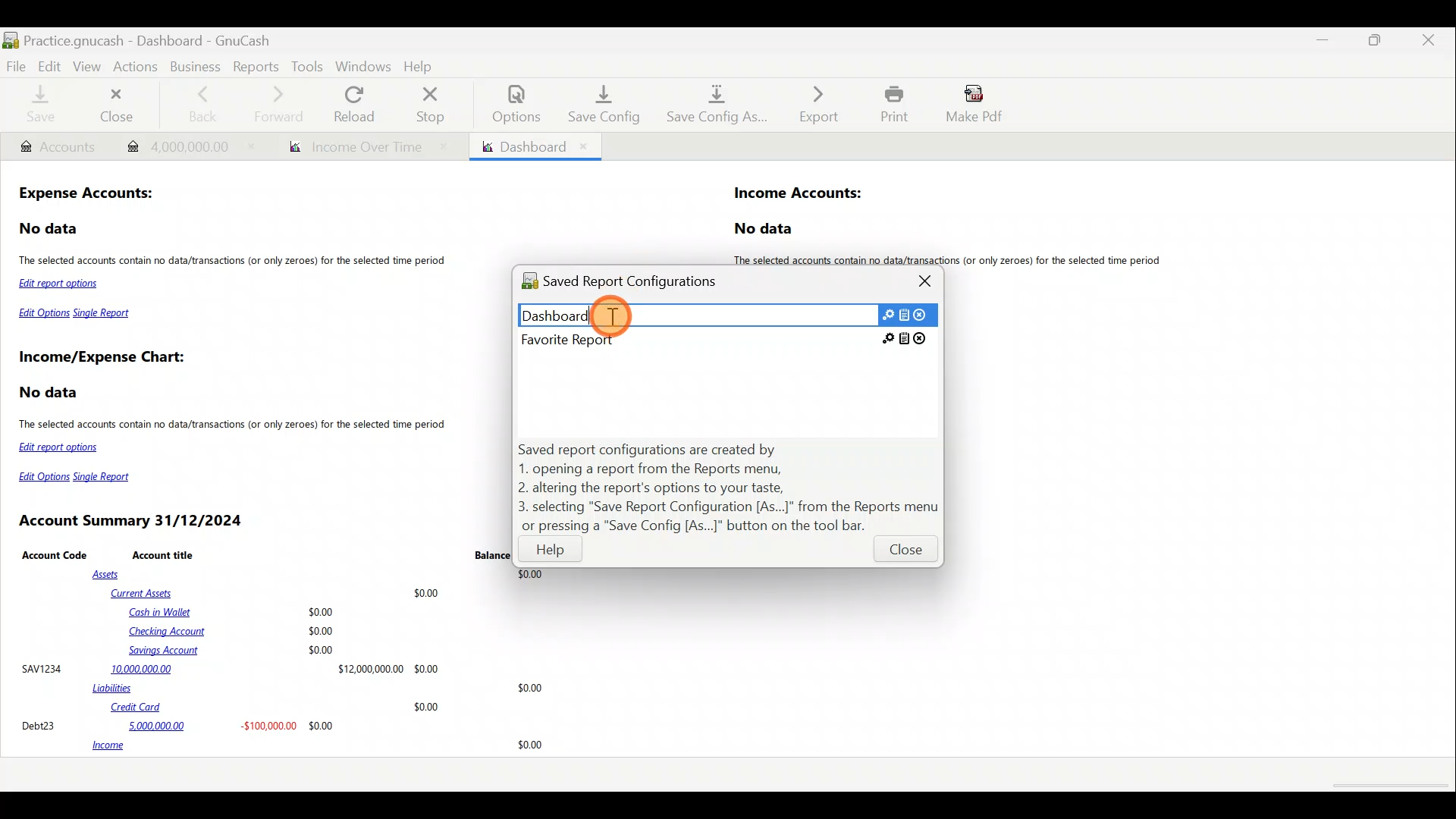  I want to click on Close, so click(904, 553).